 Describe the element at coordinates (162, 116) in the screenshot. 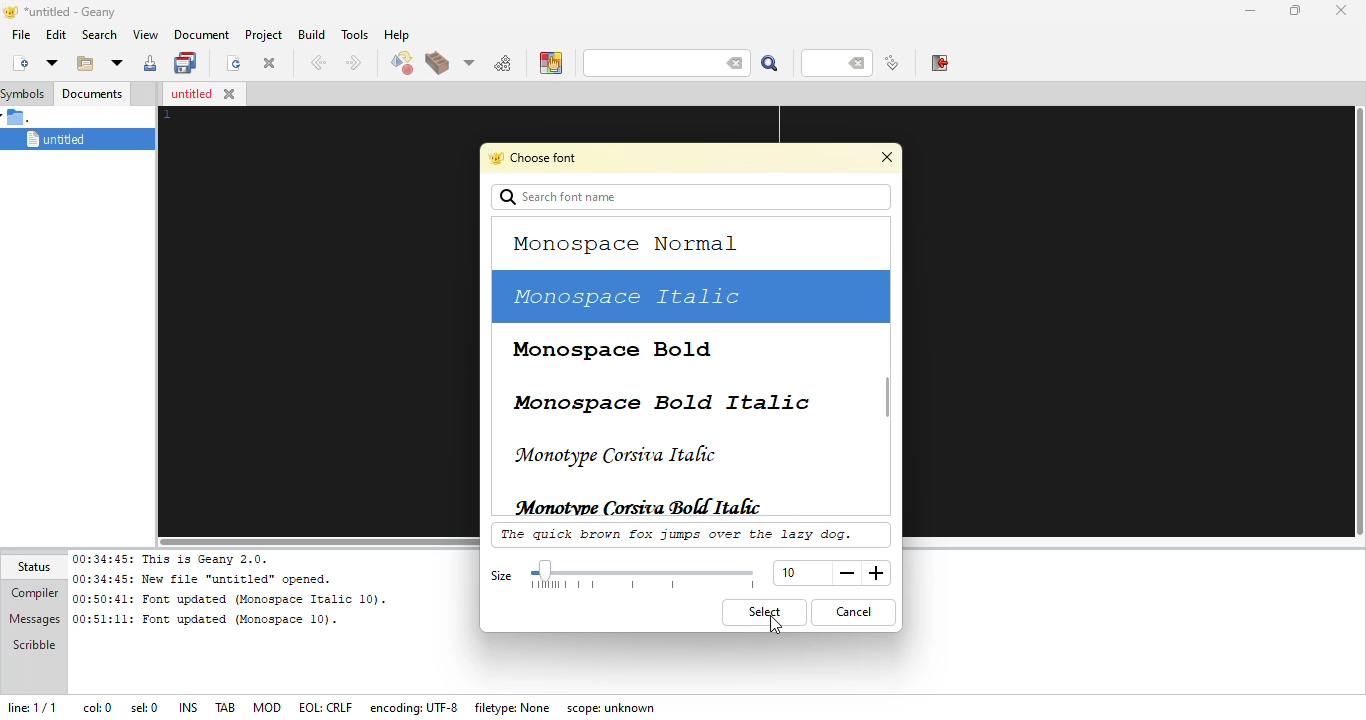

I see `line number` at that location.